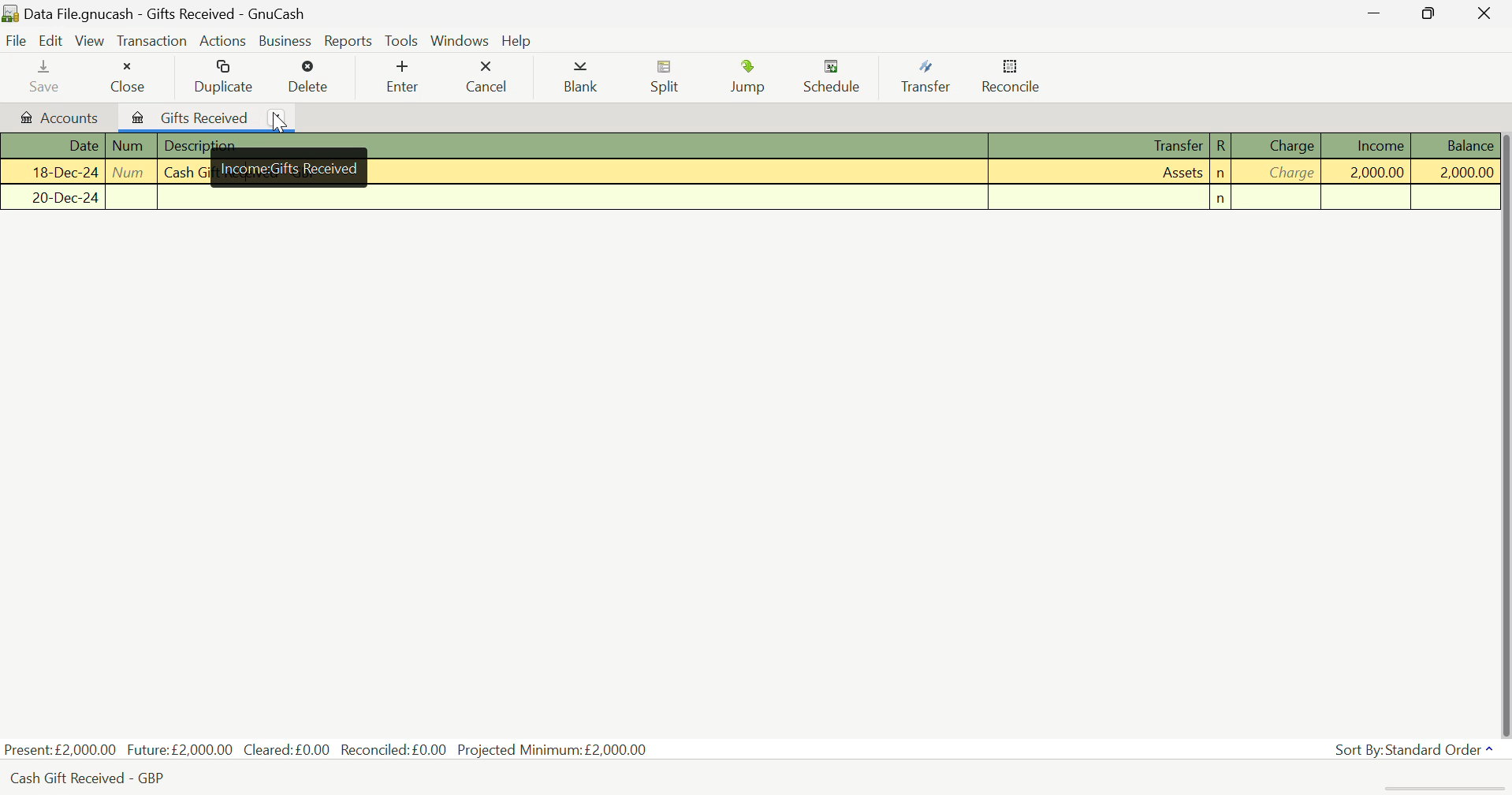 This screenshot has height=795, width=1512. Describe the element at coordinates (1279, 198) in the screenshot. I see `Charge` at that location.